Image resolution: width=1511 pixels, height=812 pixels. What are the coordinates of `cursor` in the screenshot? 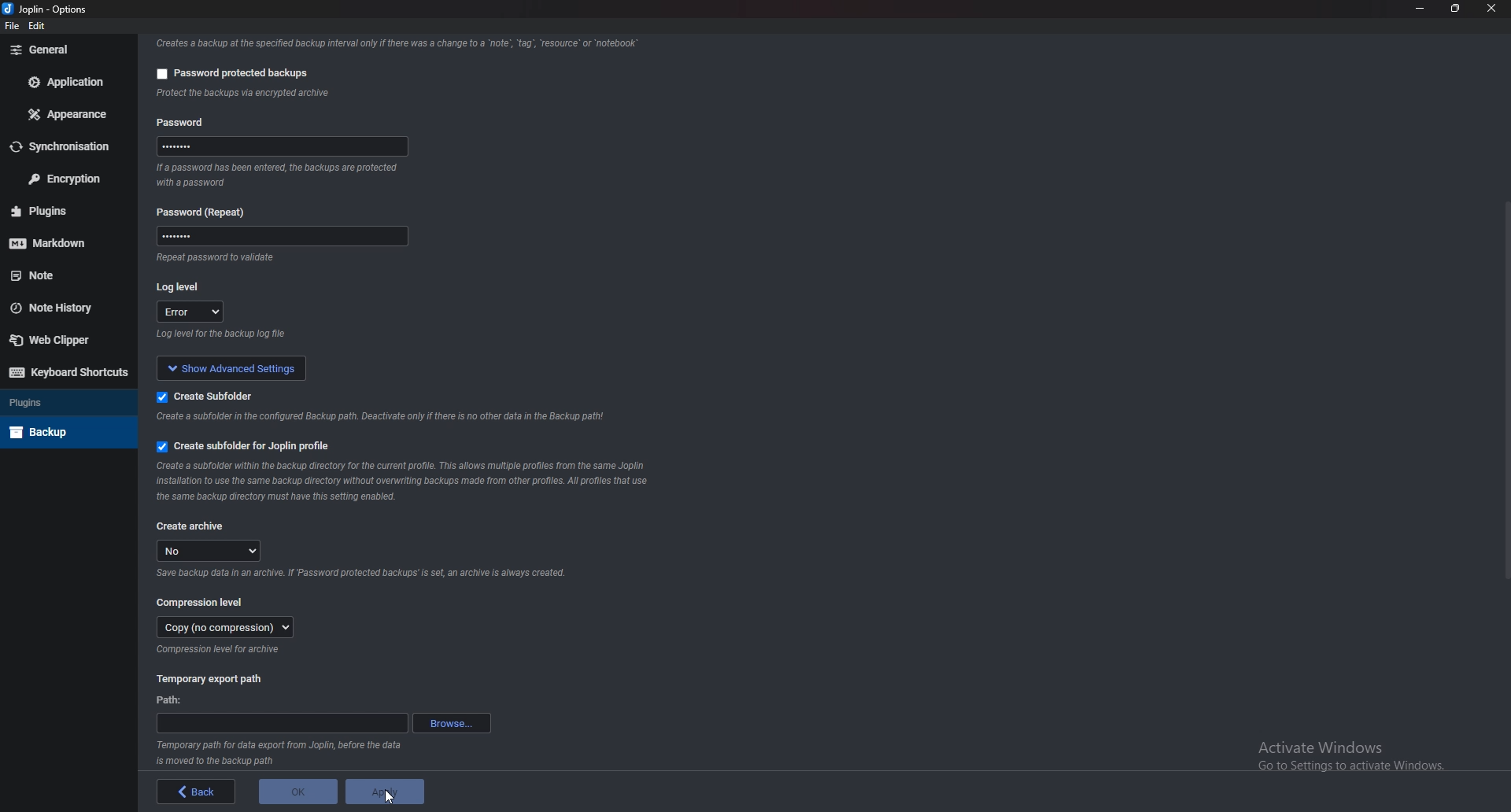 It's located at (389, 800).